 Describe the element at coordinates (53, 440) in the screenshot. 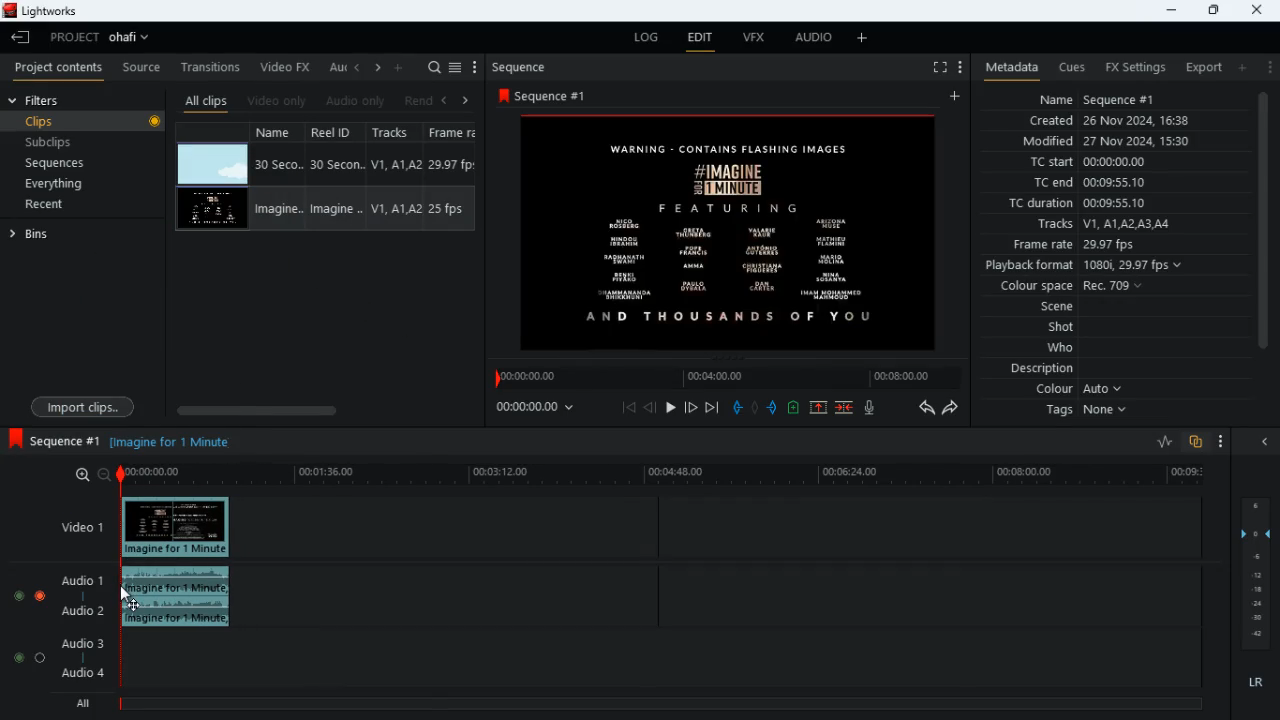

I see `sequence` at that location.